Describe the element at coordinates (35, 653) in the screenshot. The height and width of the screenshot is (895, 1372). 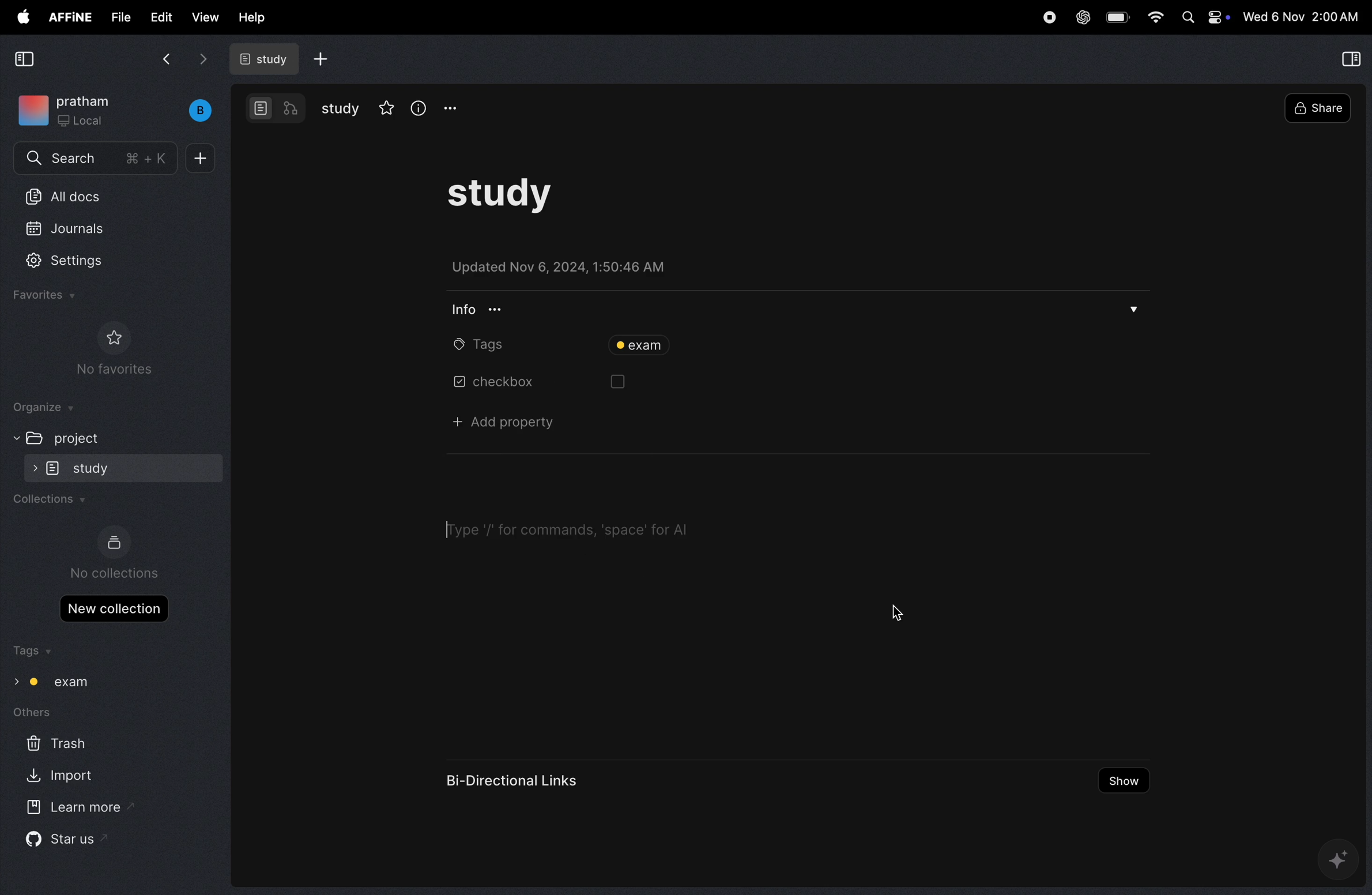
I see `tags` at that location.